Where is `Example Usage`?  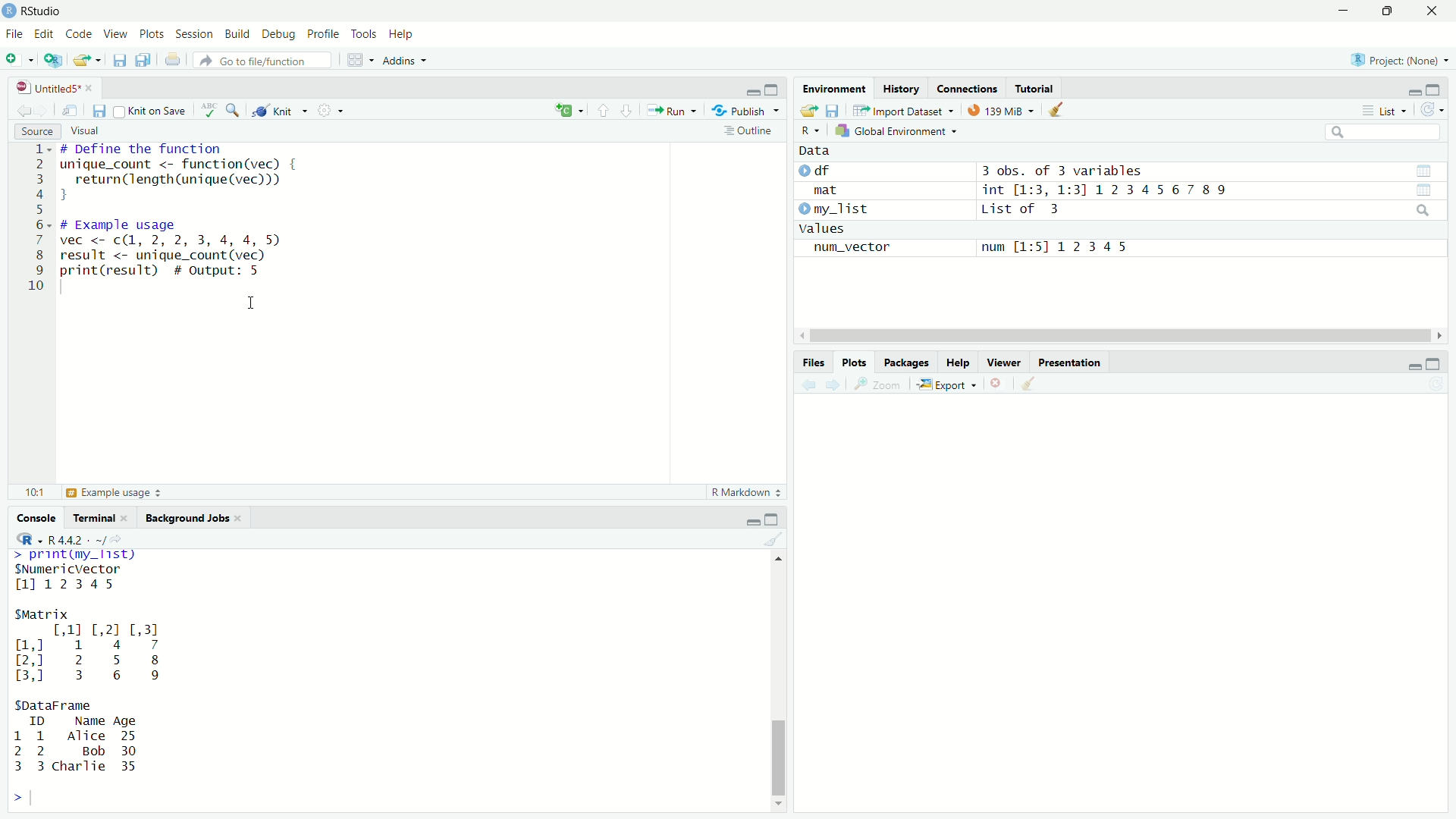 Example Usage is located at coordinates (112, 492).